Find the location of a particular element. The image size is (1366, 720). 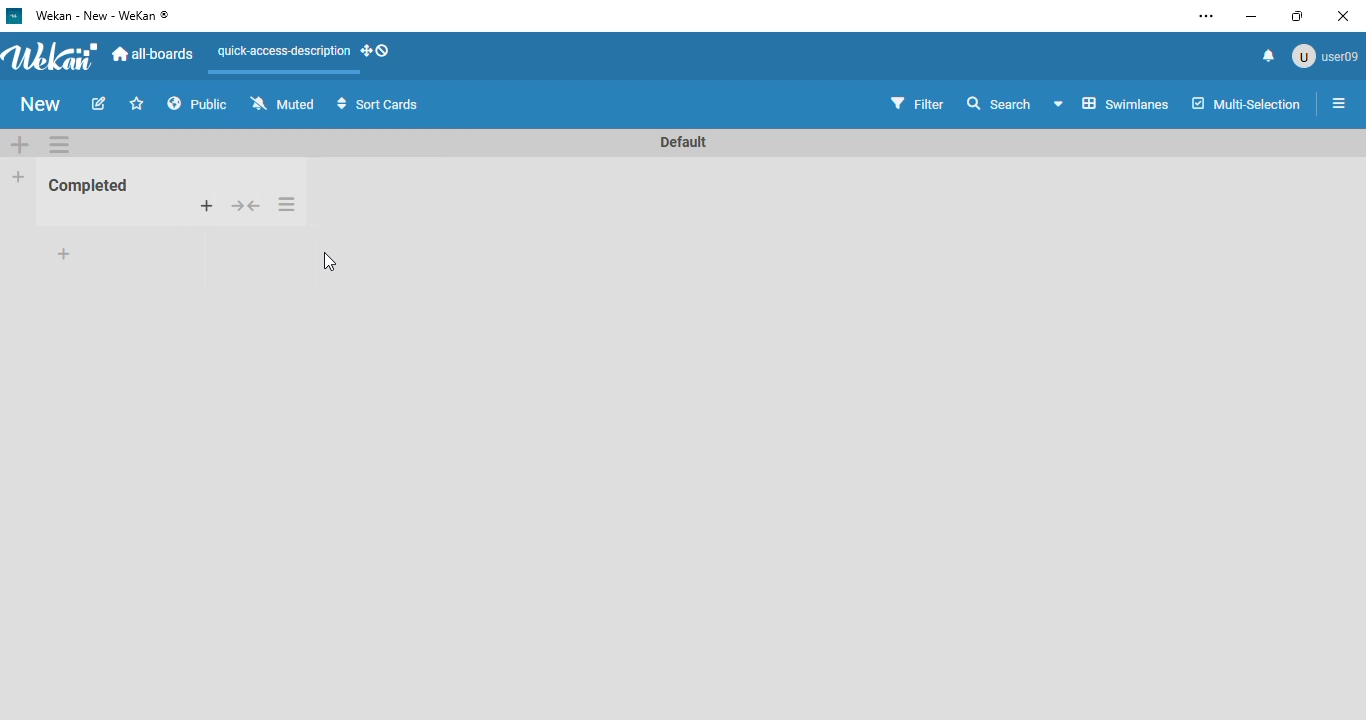

search is located at coordinates (998, 104).